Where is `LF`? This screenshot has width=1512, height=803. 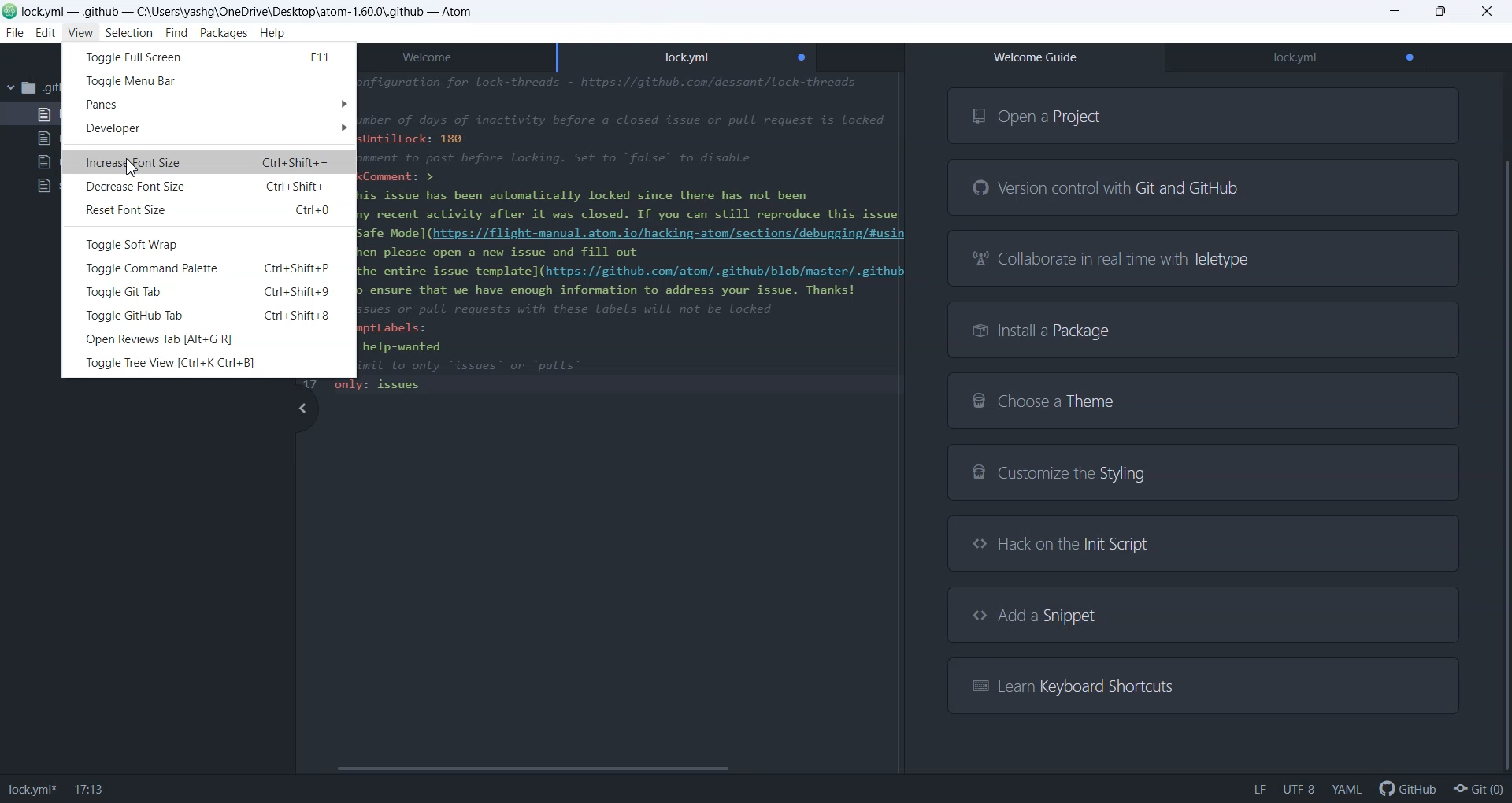 LF is located at coordinates (1259, 789).